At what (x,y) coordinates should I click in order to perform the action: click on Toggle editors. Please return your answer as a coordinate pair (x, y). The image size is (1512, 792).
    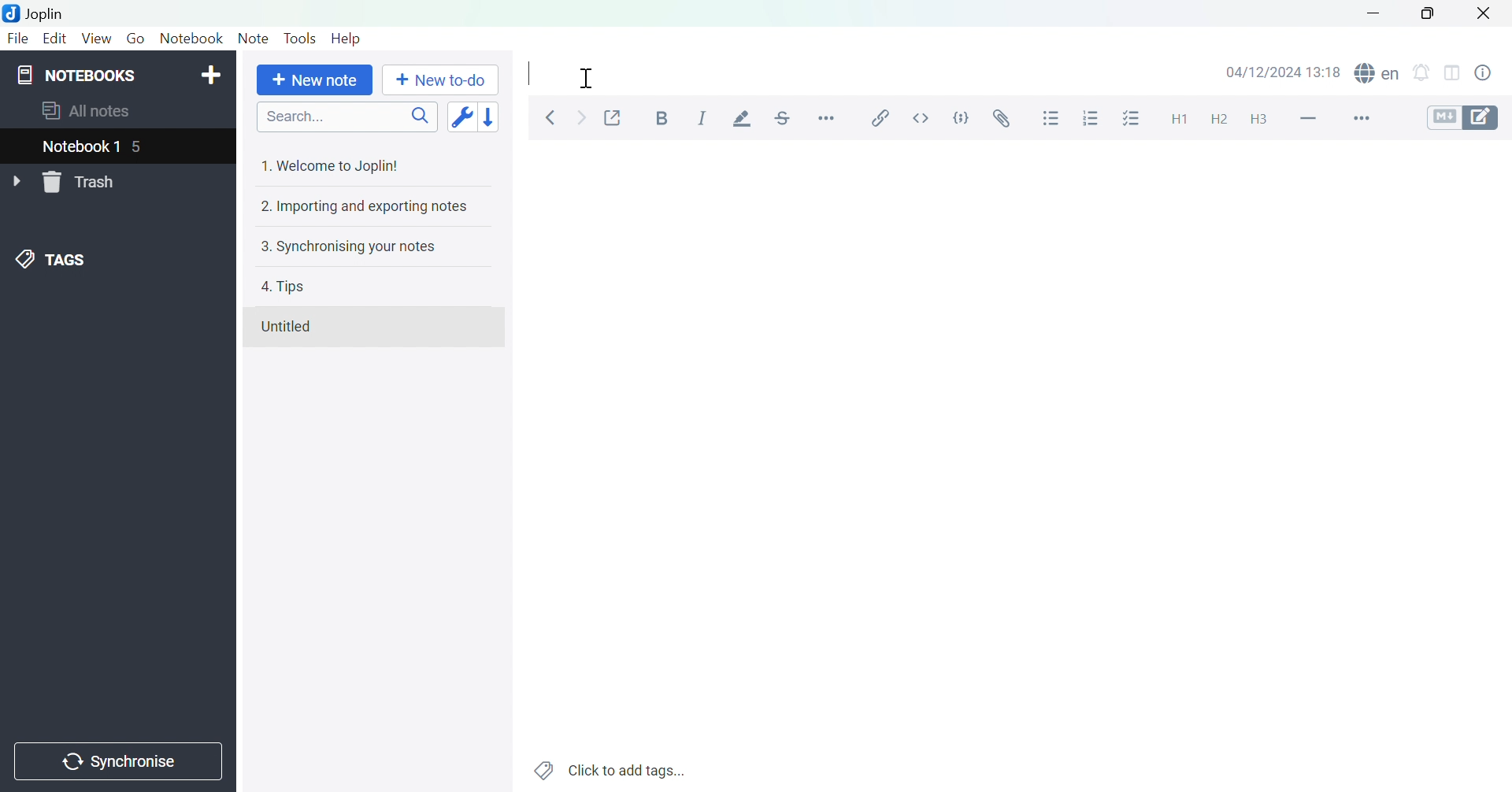
    Looking at the image, I should click on (1464, 120).